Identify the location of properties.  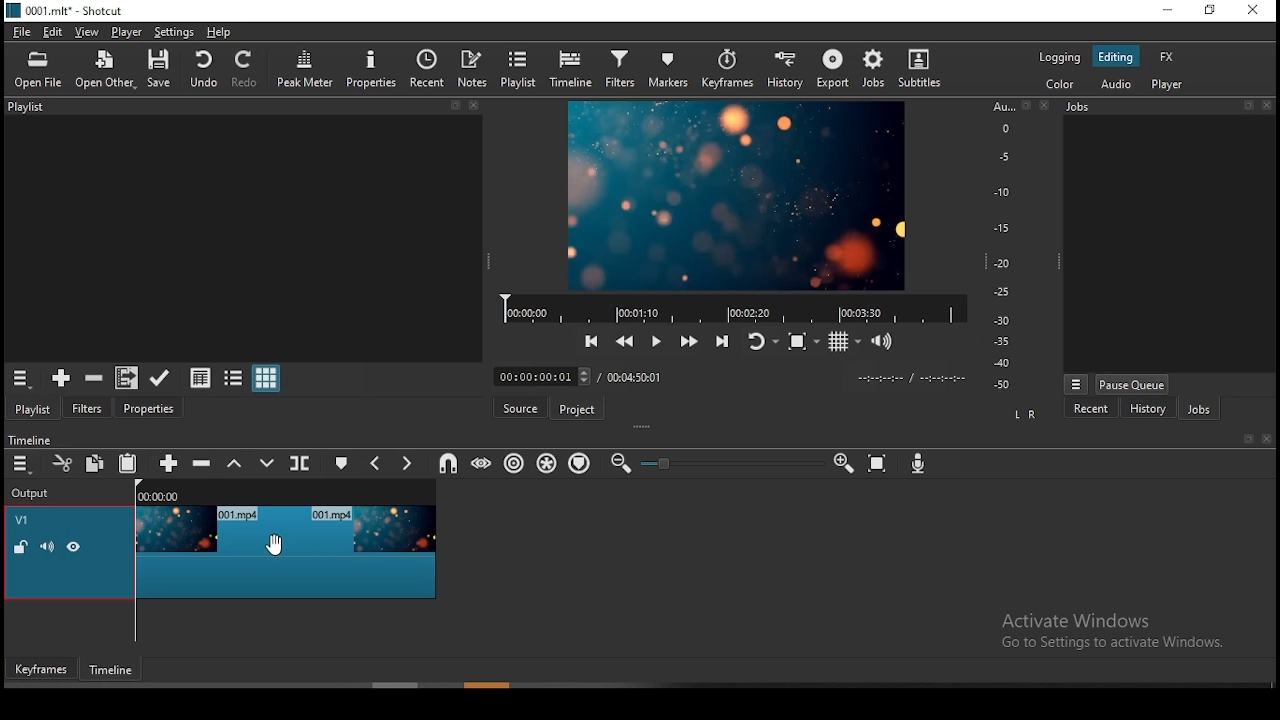
(150, 409).